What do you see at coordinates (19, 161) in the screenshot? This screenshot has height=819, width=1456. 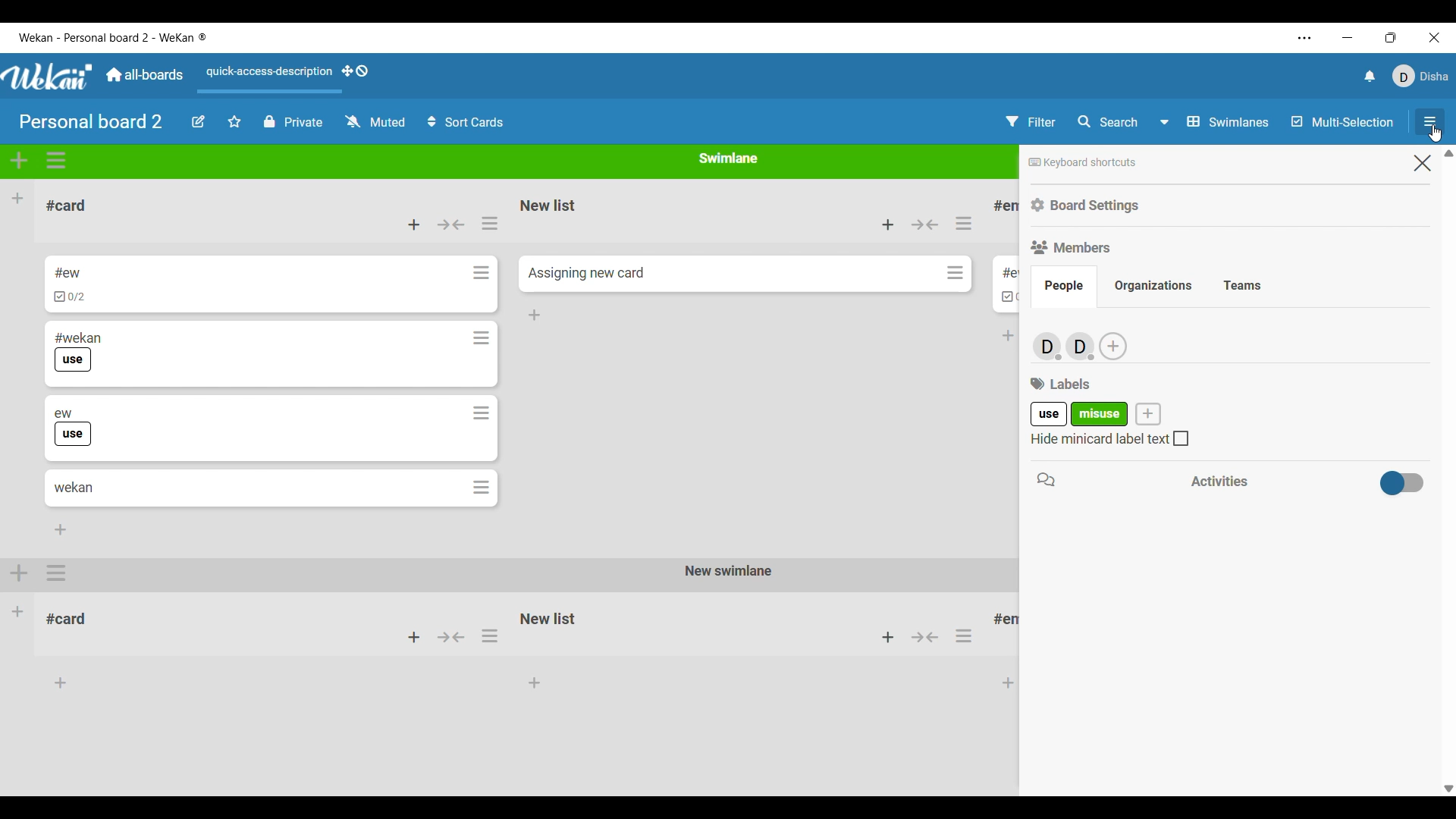 I see `Add swimlane` at bounding box center [19, 161].